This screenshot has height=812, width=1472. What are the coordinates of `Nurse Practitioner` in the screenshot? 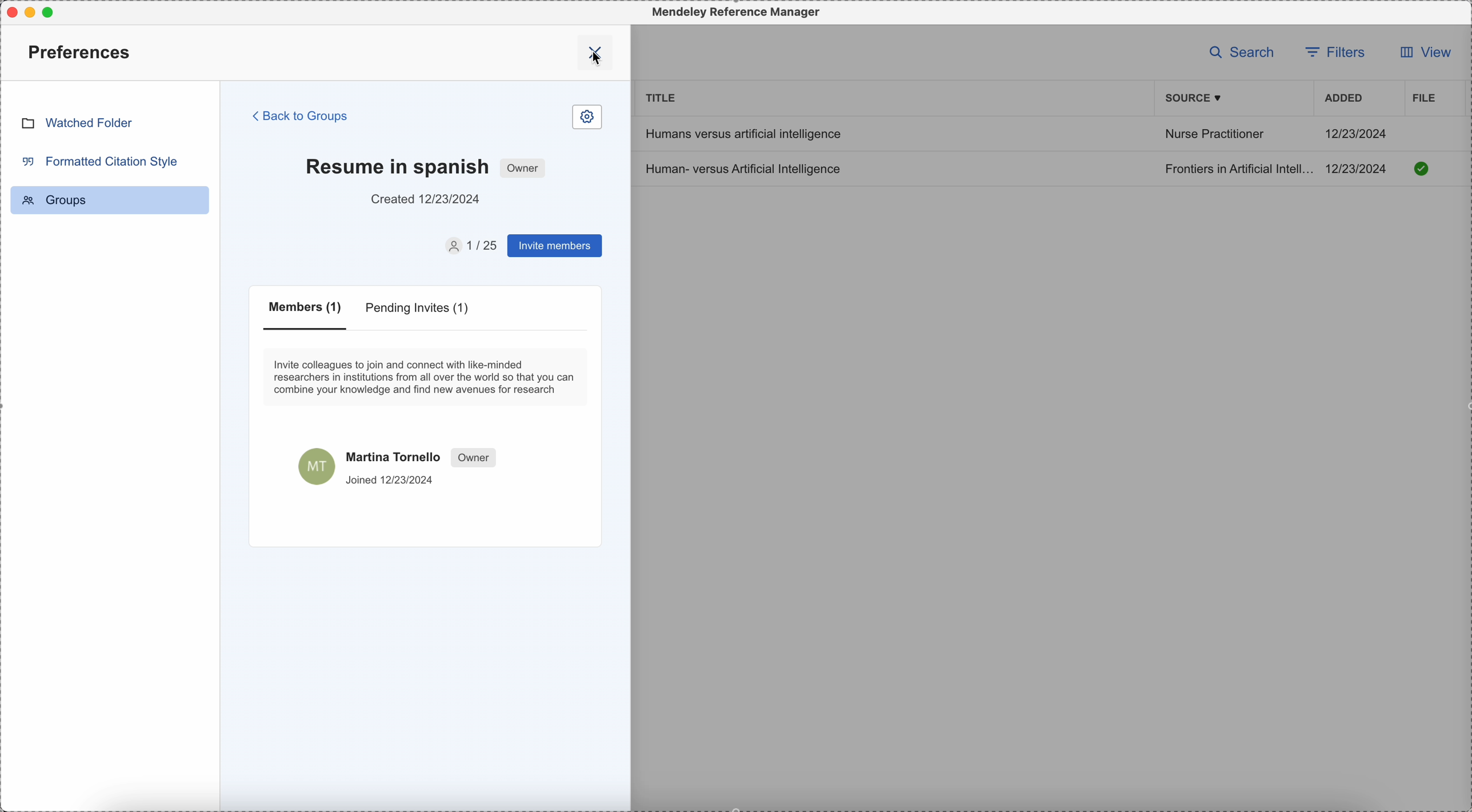 It's located at (1214, 136).